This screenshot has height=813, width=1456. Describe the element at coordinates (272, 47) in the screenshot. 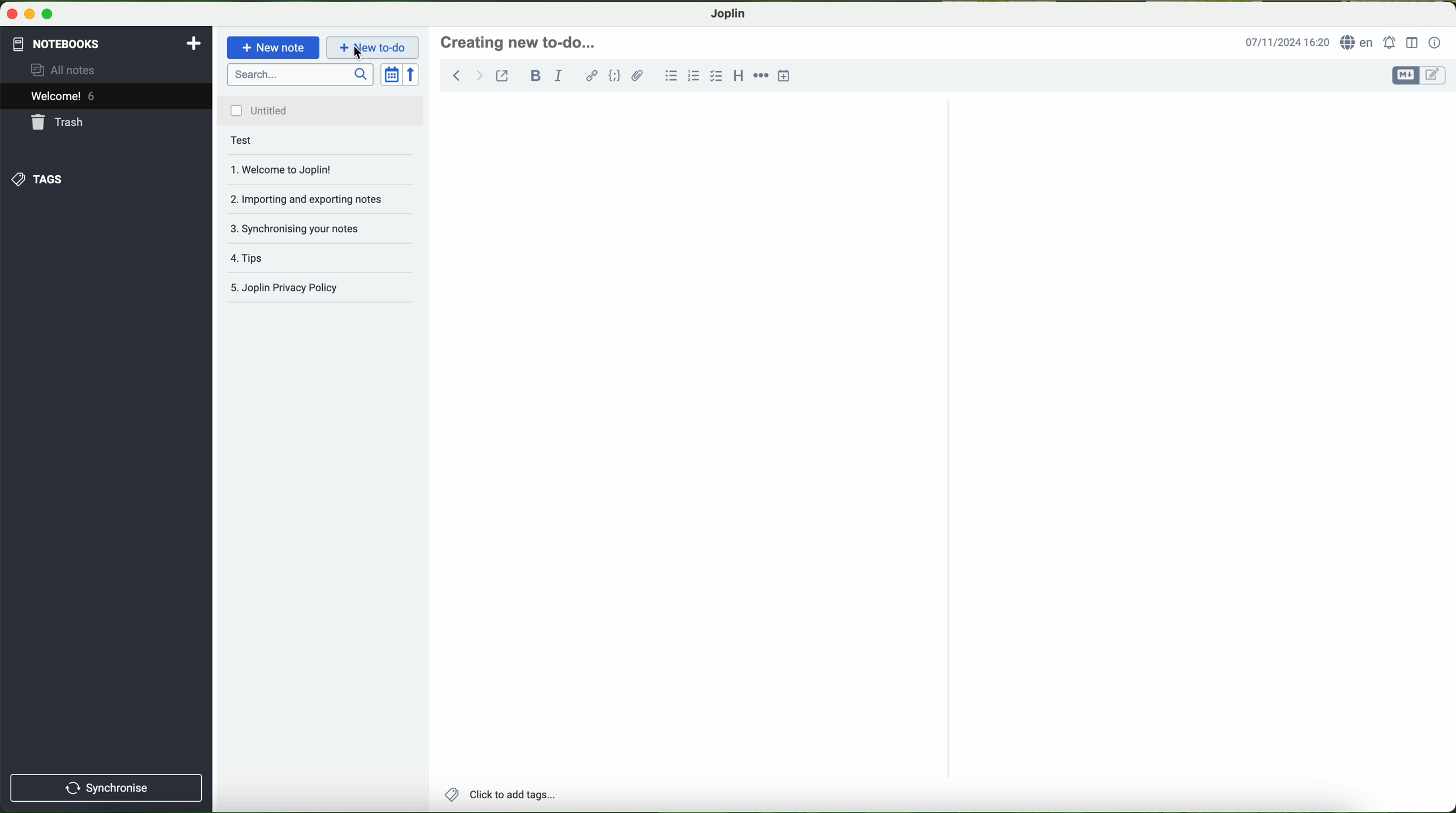

I see `new note button` at that location.